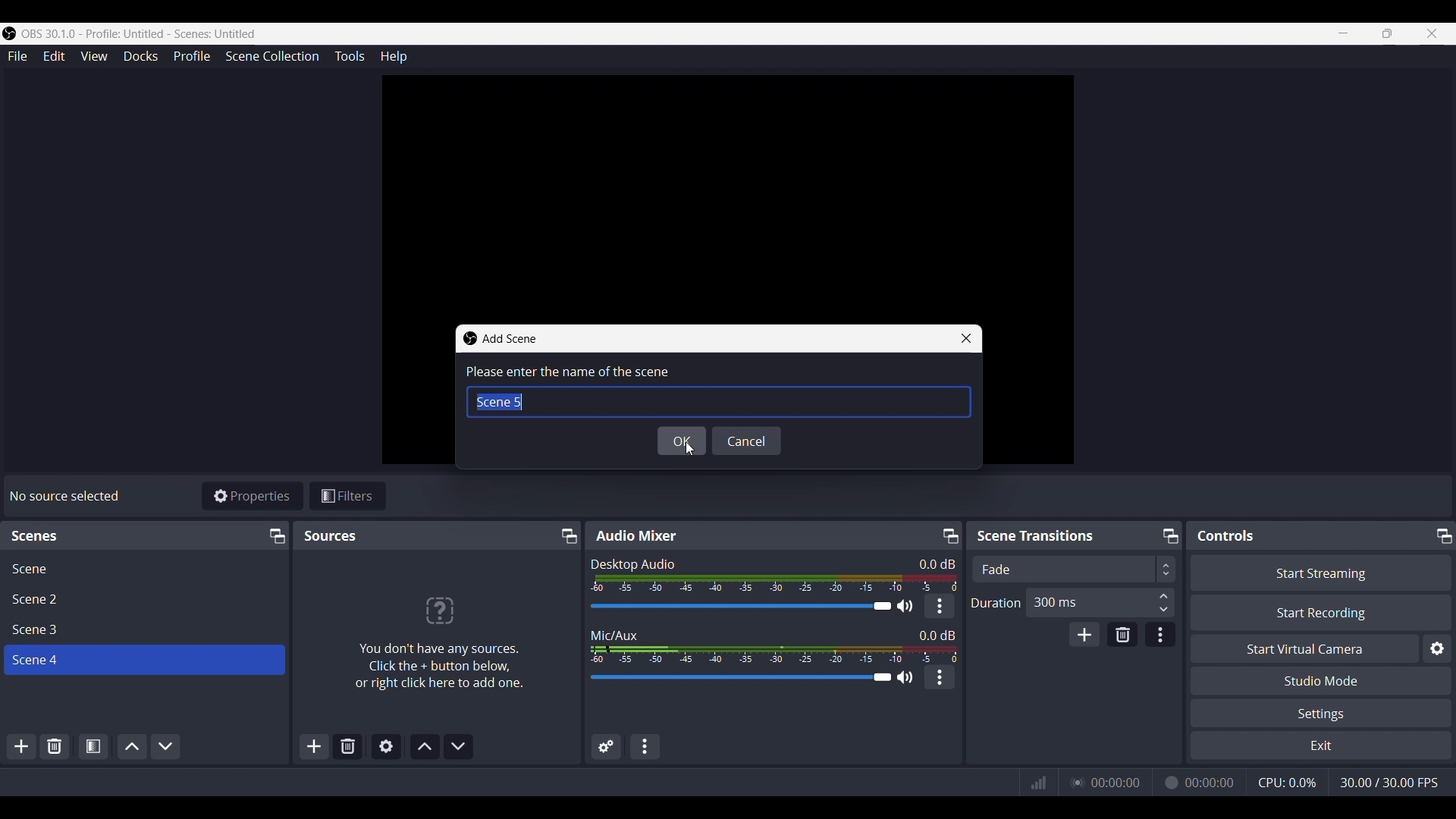  What do you see at coordinates (145, 567) in the screenshot?
I see `Scene` at bounding box center [145, 567].